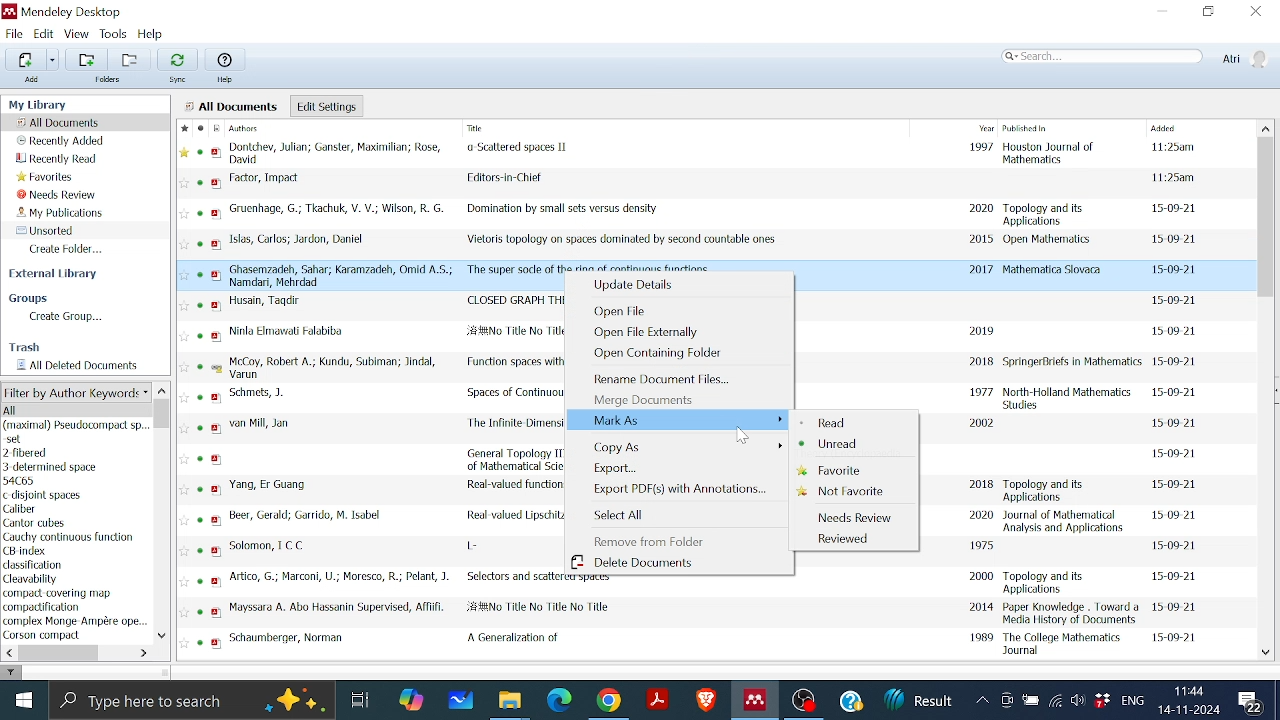 The height and width of the screenshot is (720, 1280). Describe the element at coordinates (631, 312) in the screenshot. I see `Open file` at that location.